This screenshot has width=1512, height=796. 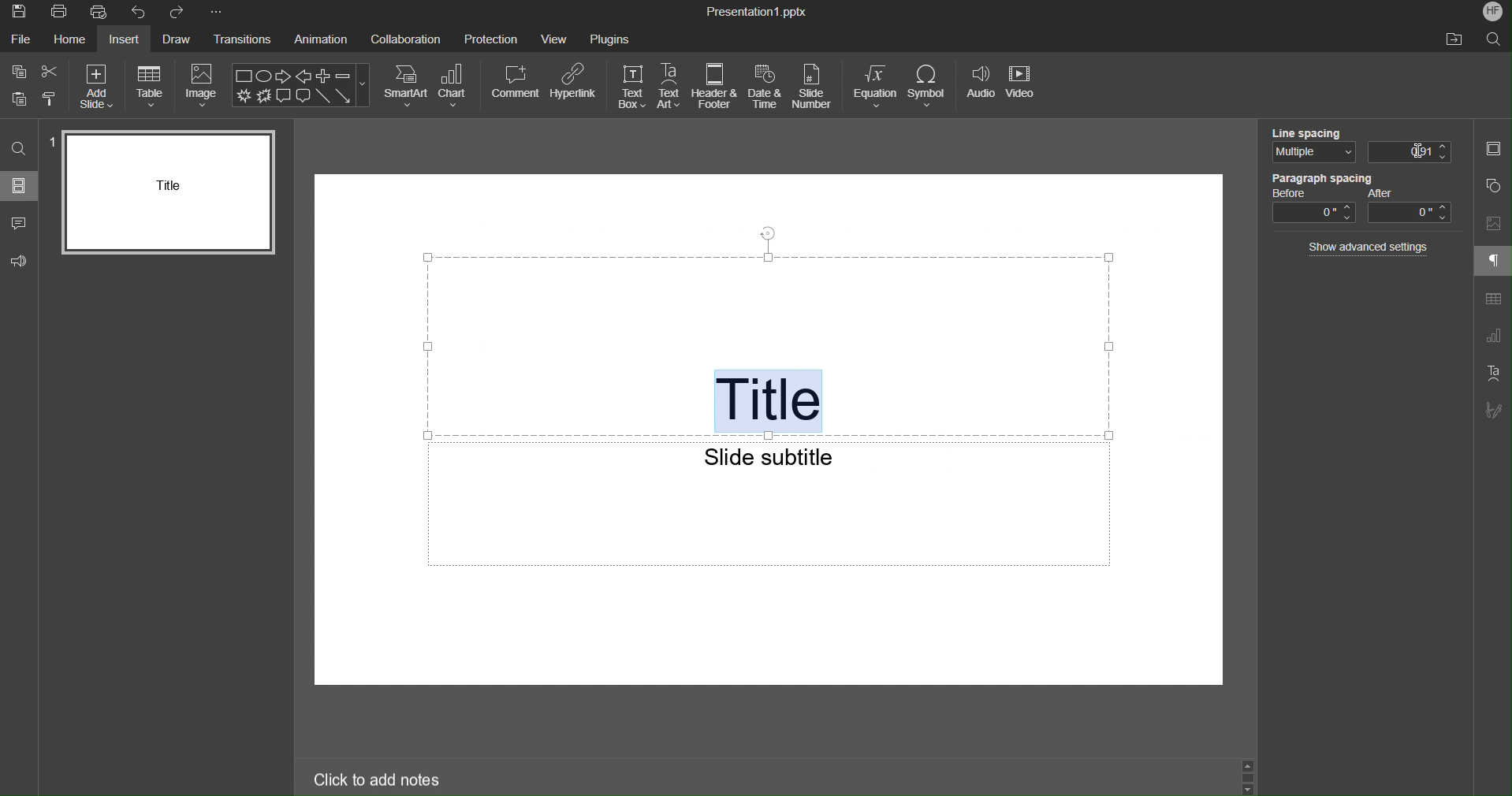 What do you see at coordinates (1492, 300) in the screenshot?
I see `Table` at bounding box center [1492, 300].